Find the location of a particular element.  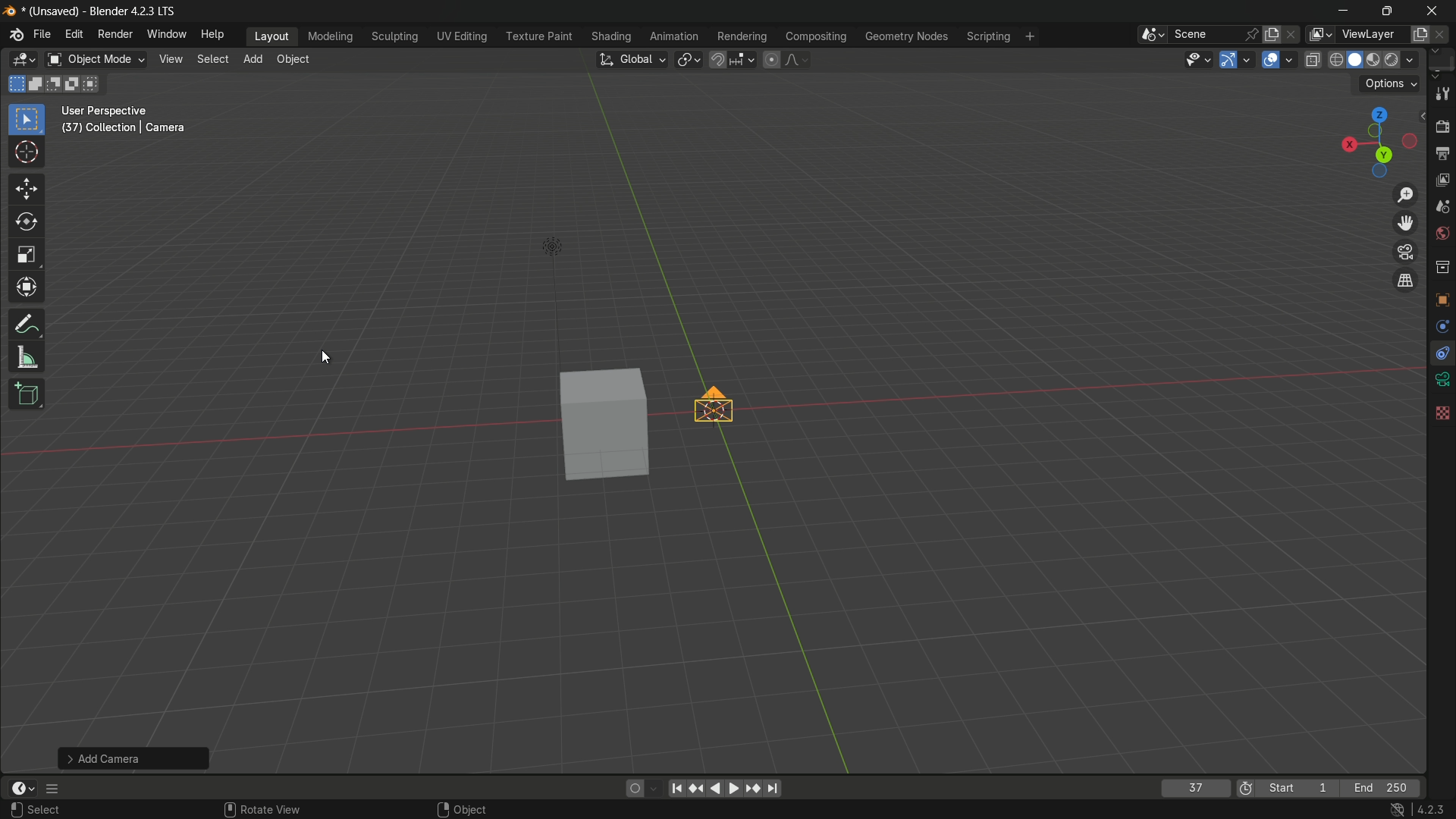

rotate is located at coordinates (1439, 325).